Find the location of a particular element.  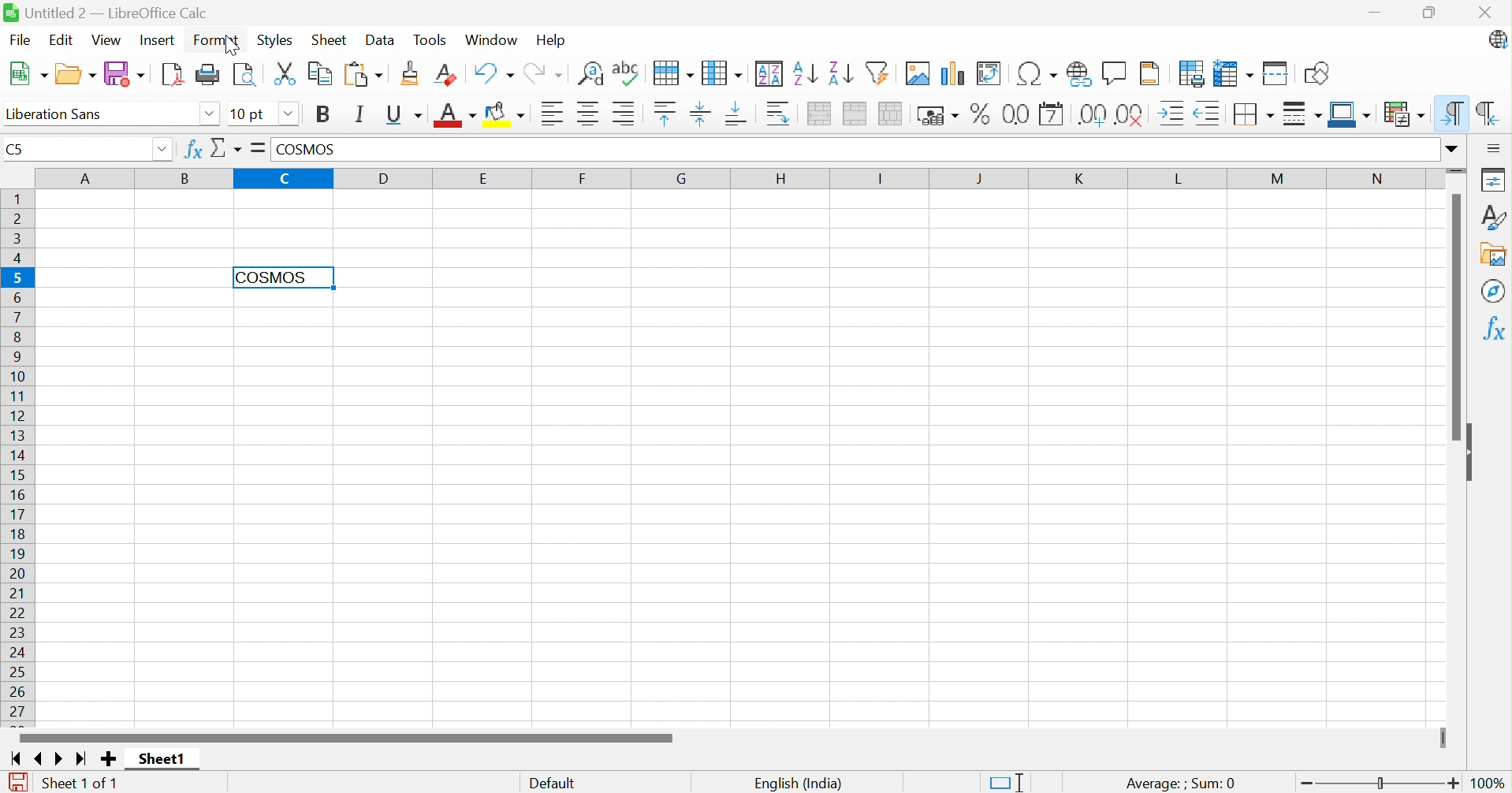

Insert Hyperlink is located at coordinates (1081, 73).